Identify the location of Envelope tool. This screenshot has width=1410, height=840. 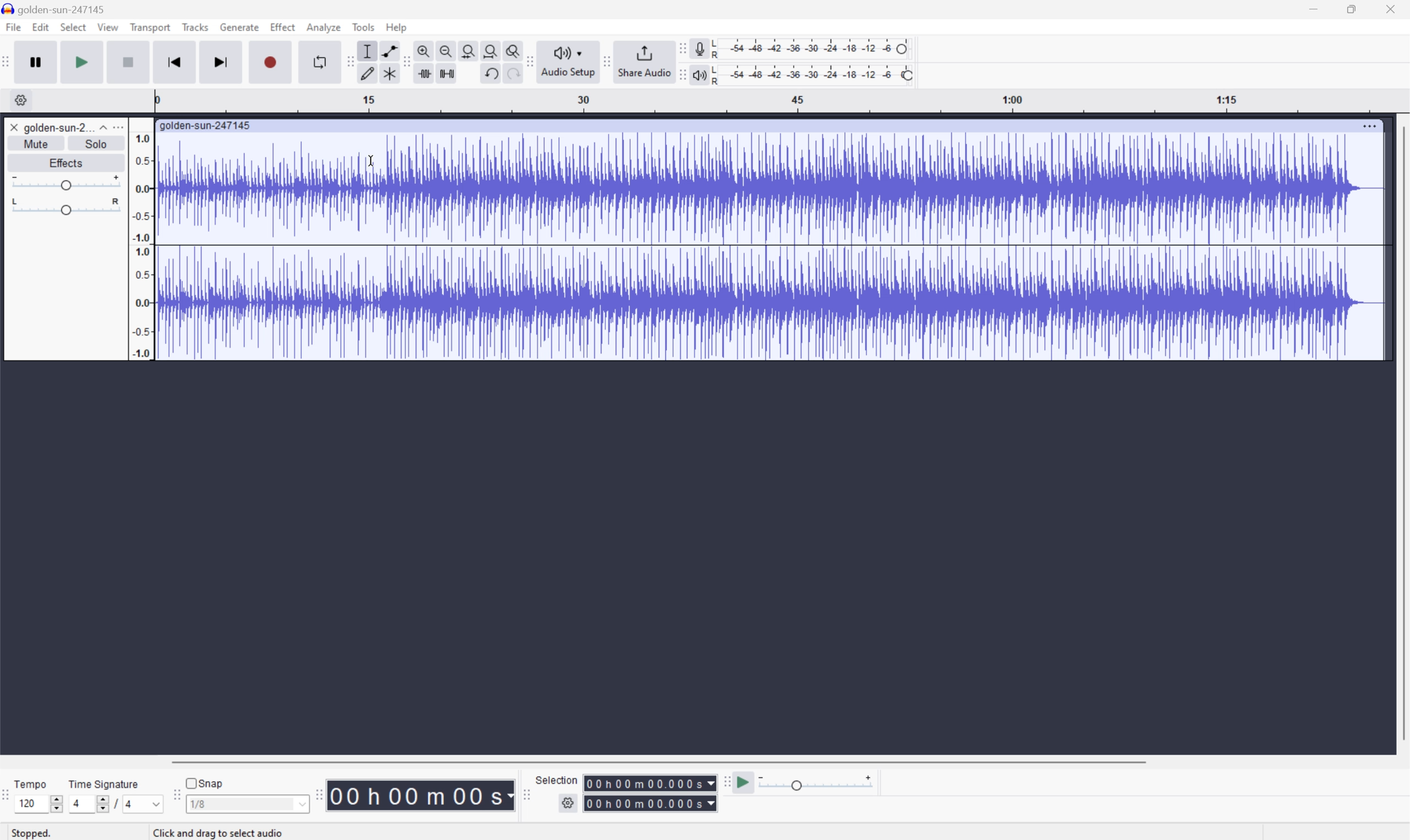
(387, 50).